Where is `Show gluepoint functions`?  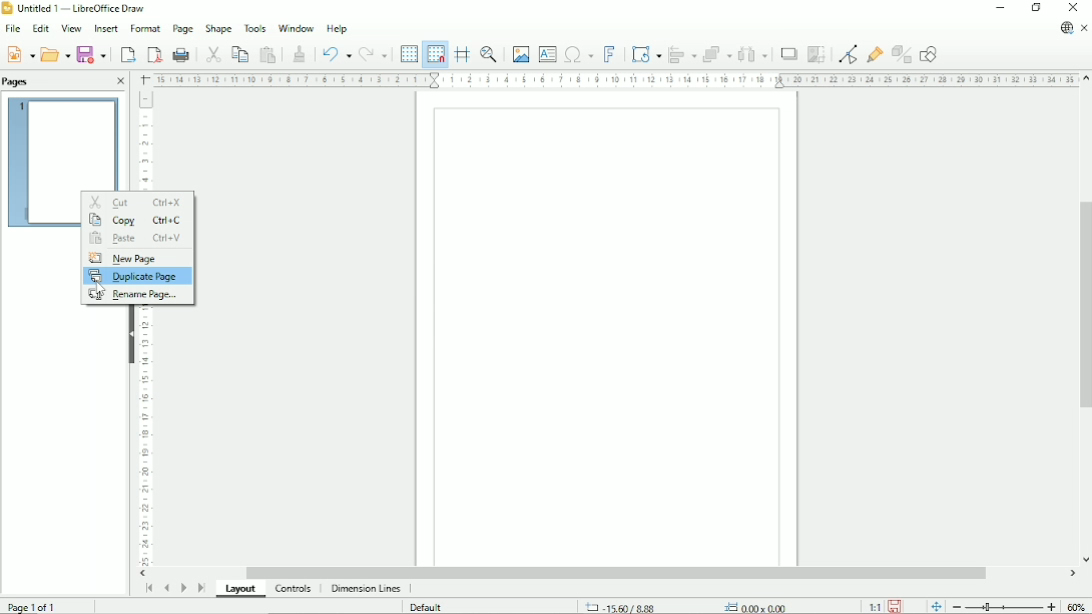 Show gluepoint functions is located at coordinates (875, 54).